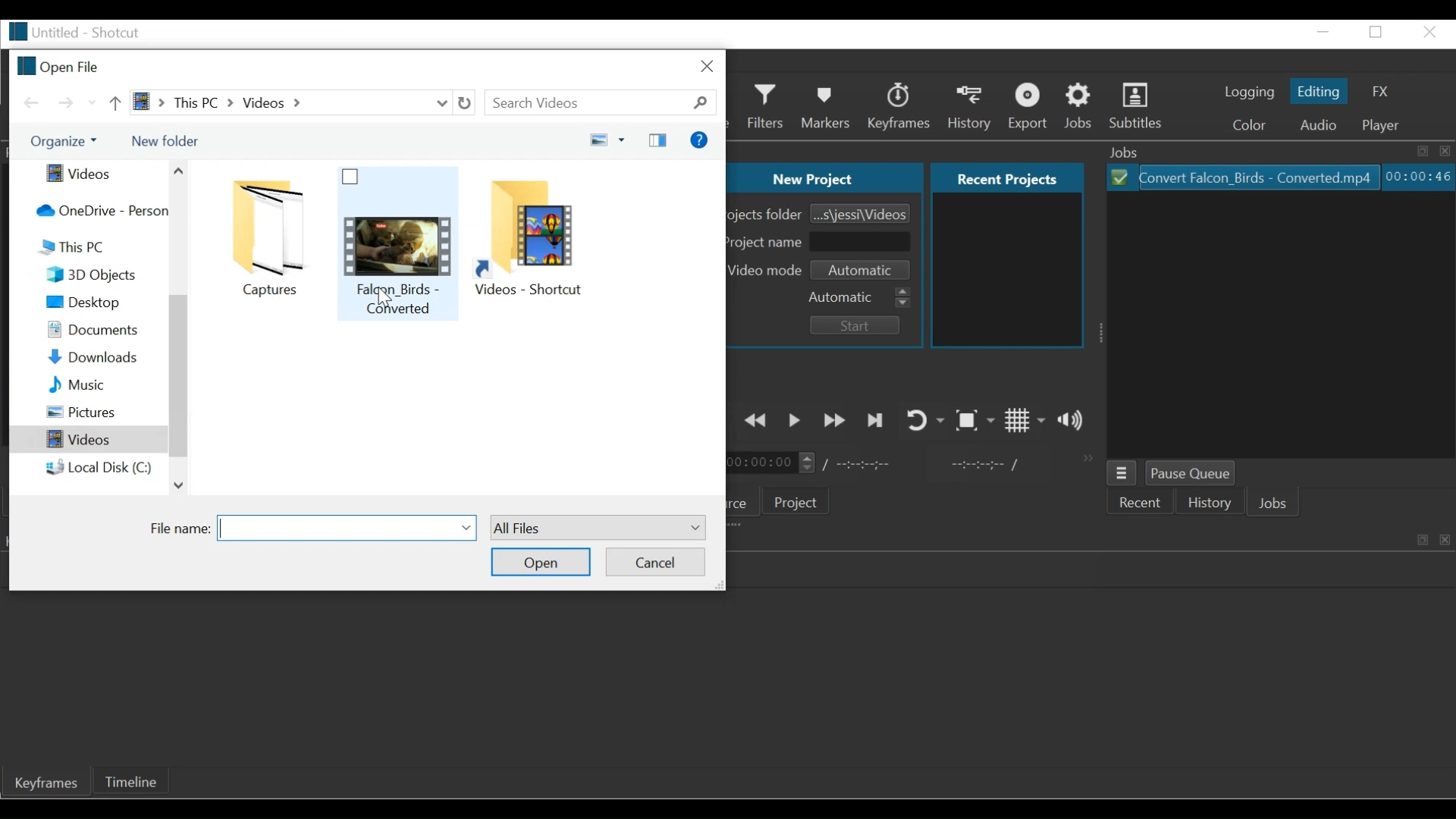  I want to click on Browse Project Folder, so click(859, 213).